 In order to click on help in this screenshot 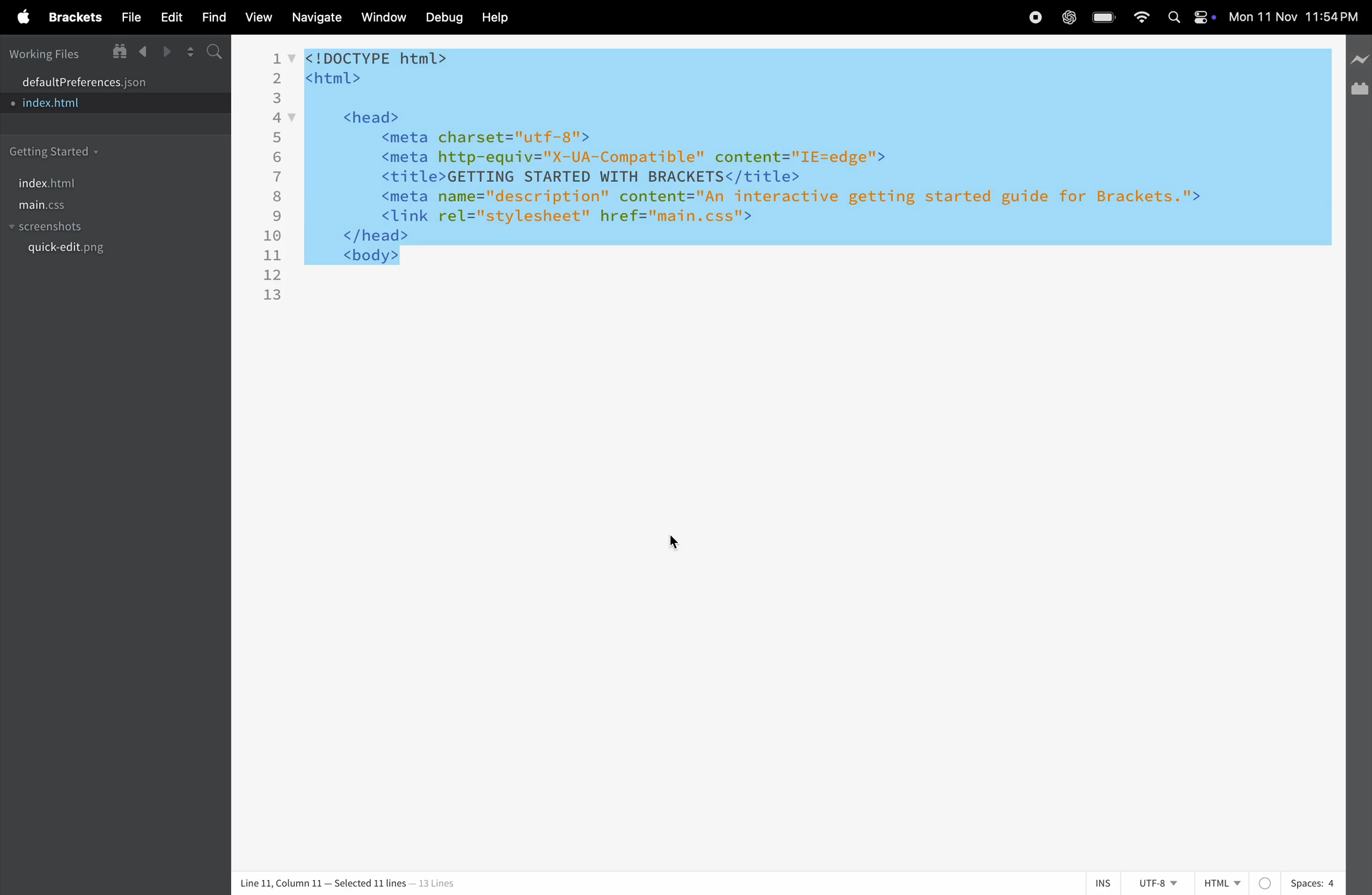, I will do `click(496, 18)`.